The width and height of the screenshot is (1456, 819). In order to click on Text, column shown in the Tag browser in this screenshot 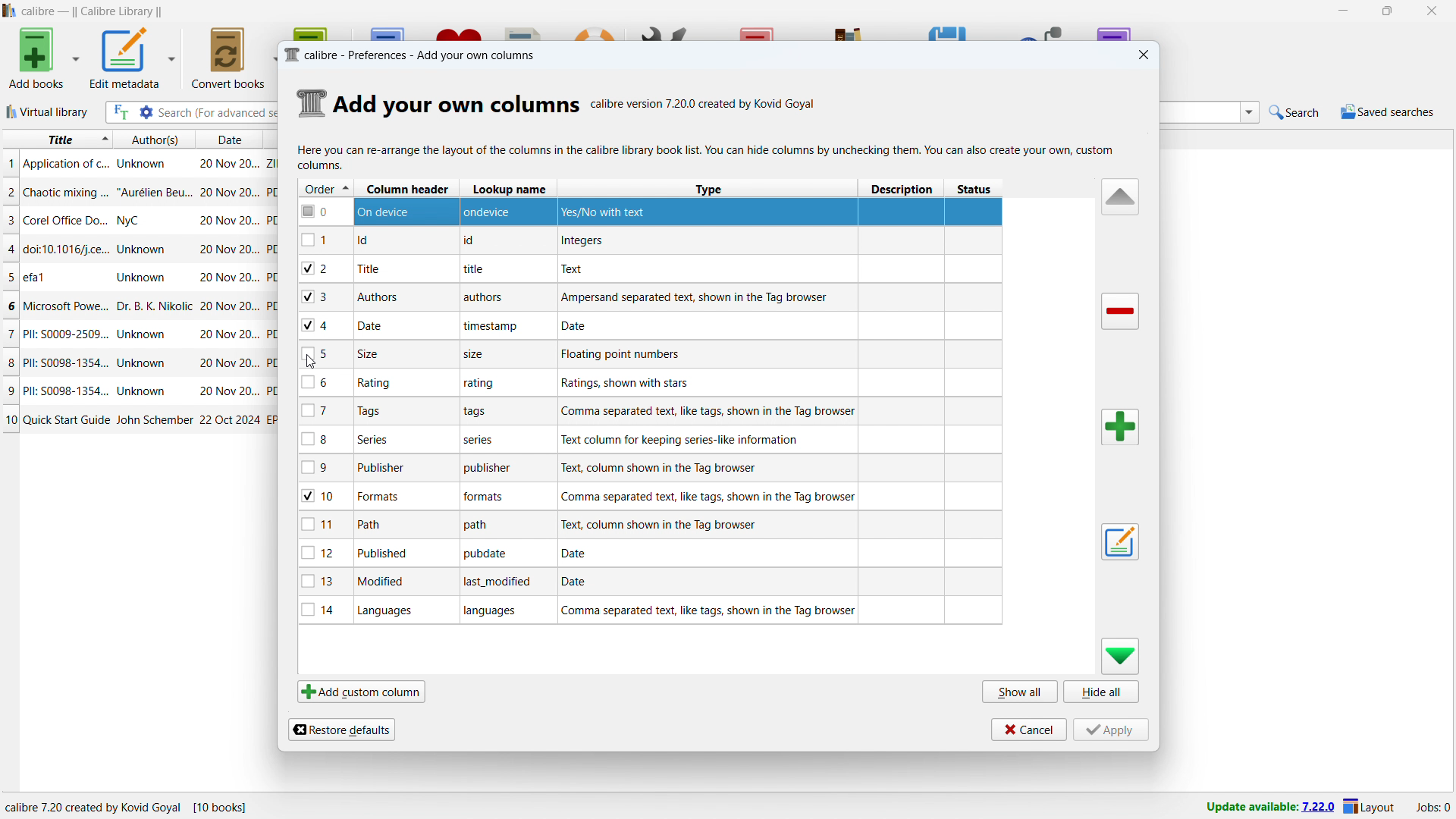, I will do `click(661, 524)`.